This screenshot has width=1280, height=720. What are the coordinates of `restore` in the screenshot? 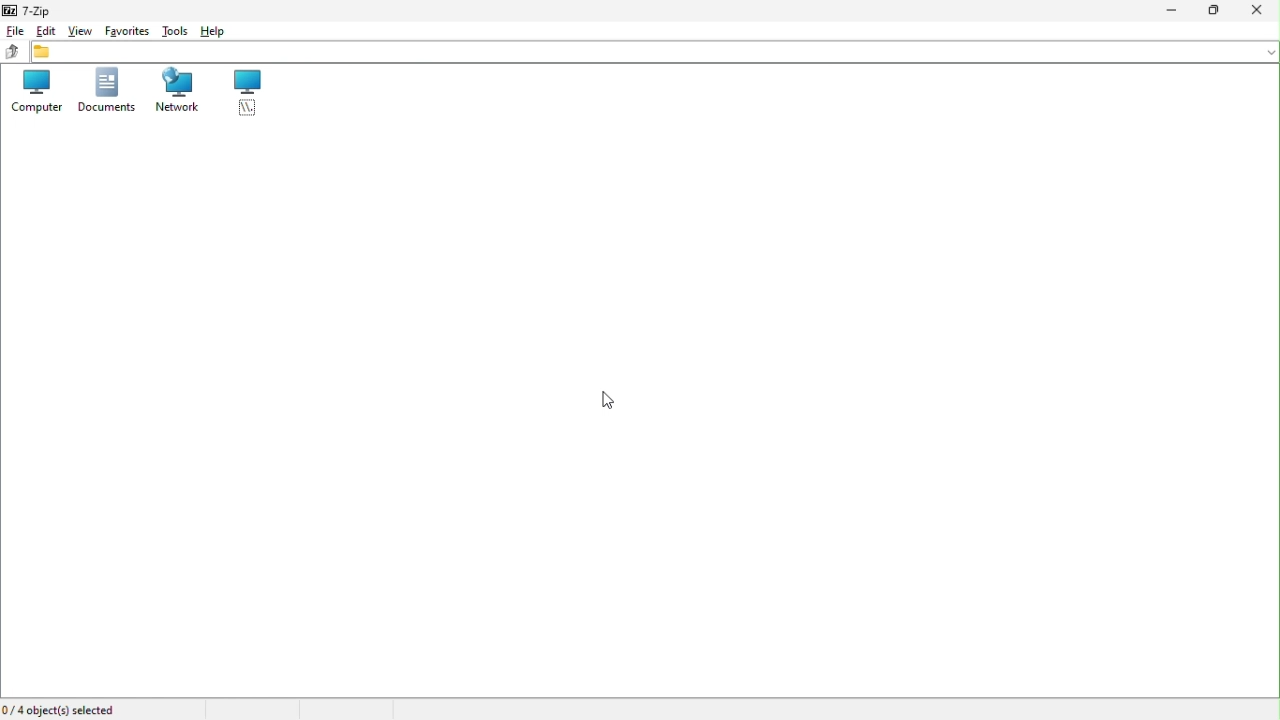 It's located at (1213, 12).